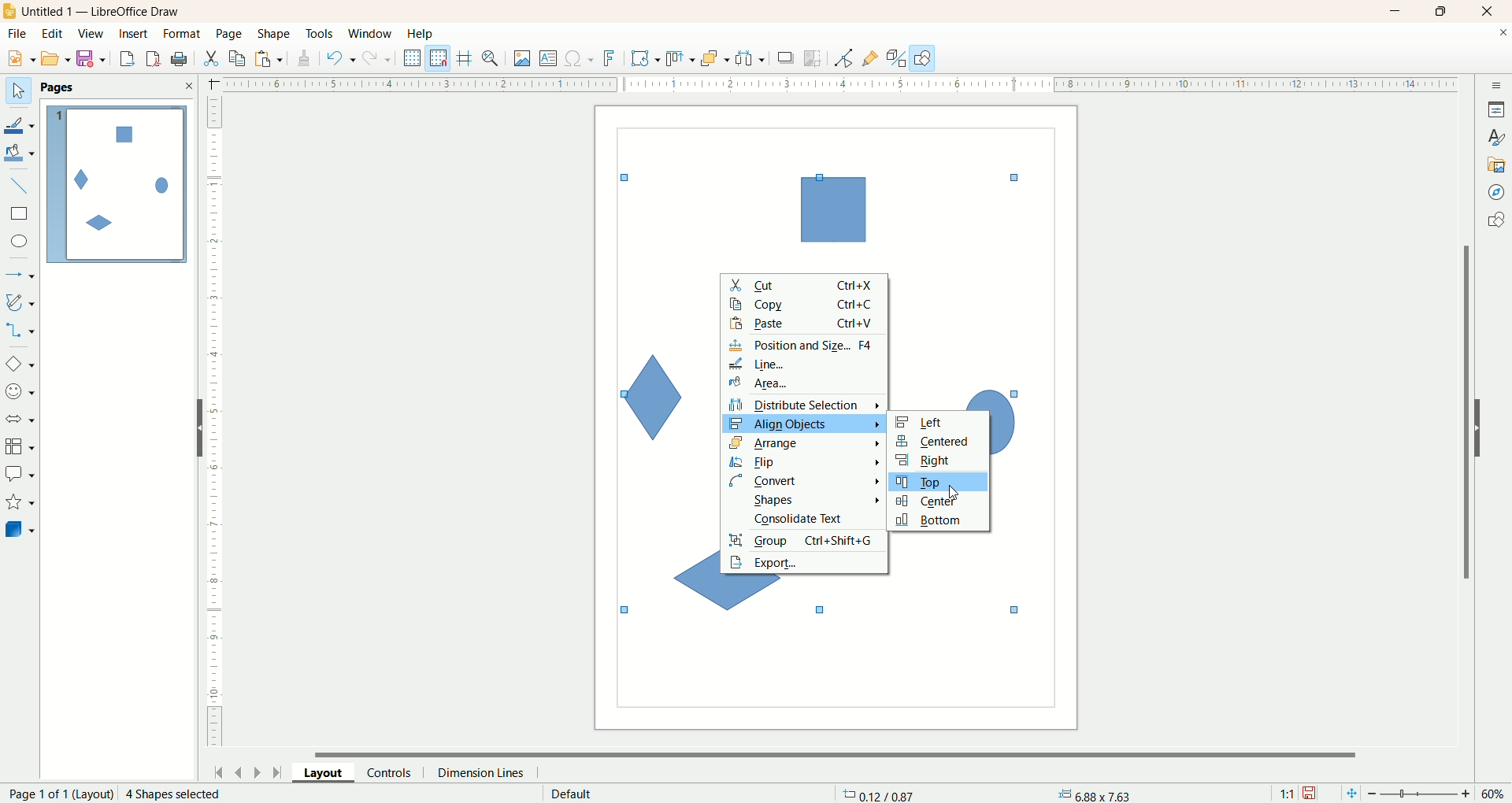  I want to click on ellipse, so click(21, 243).